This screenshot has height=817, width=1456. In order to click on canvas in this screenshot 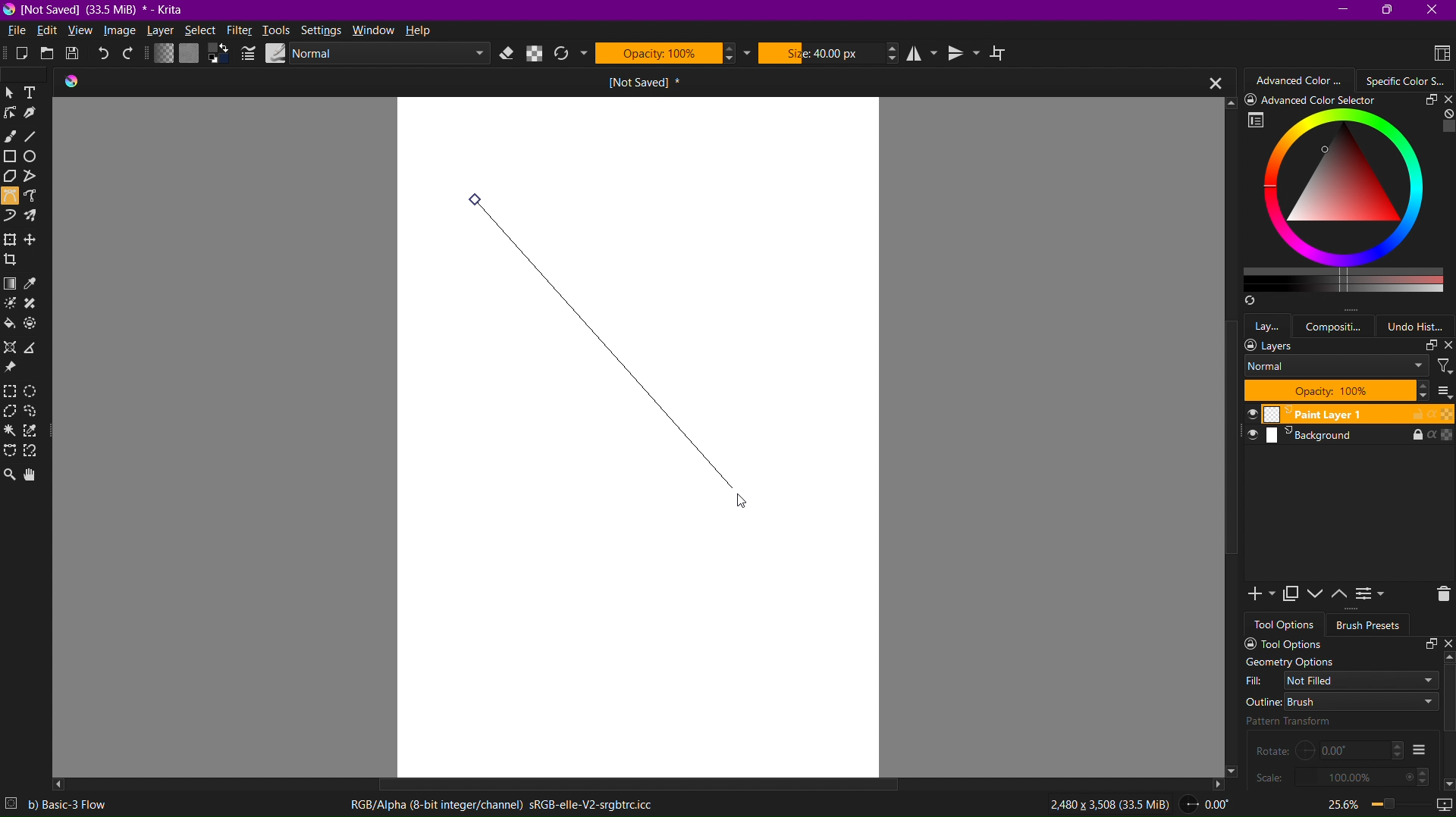, I will do `click(636, 437)`.